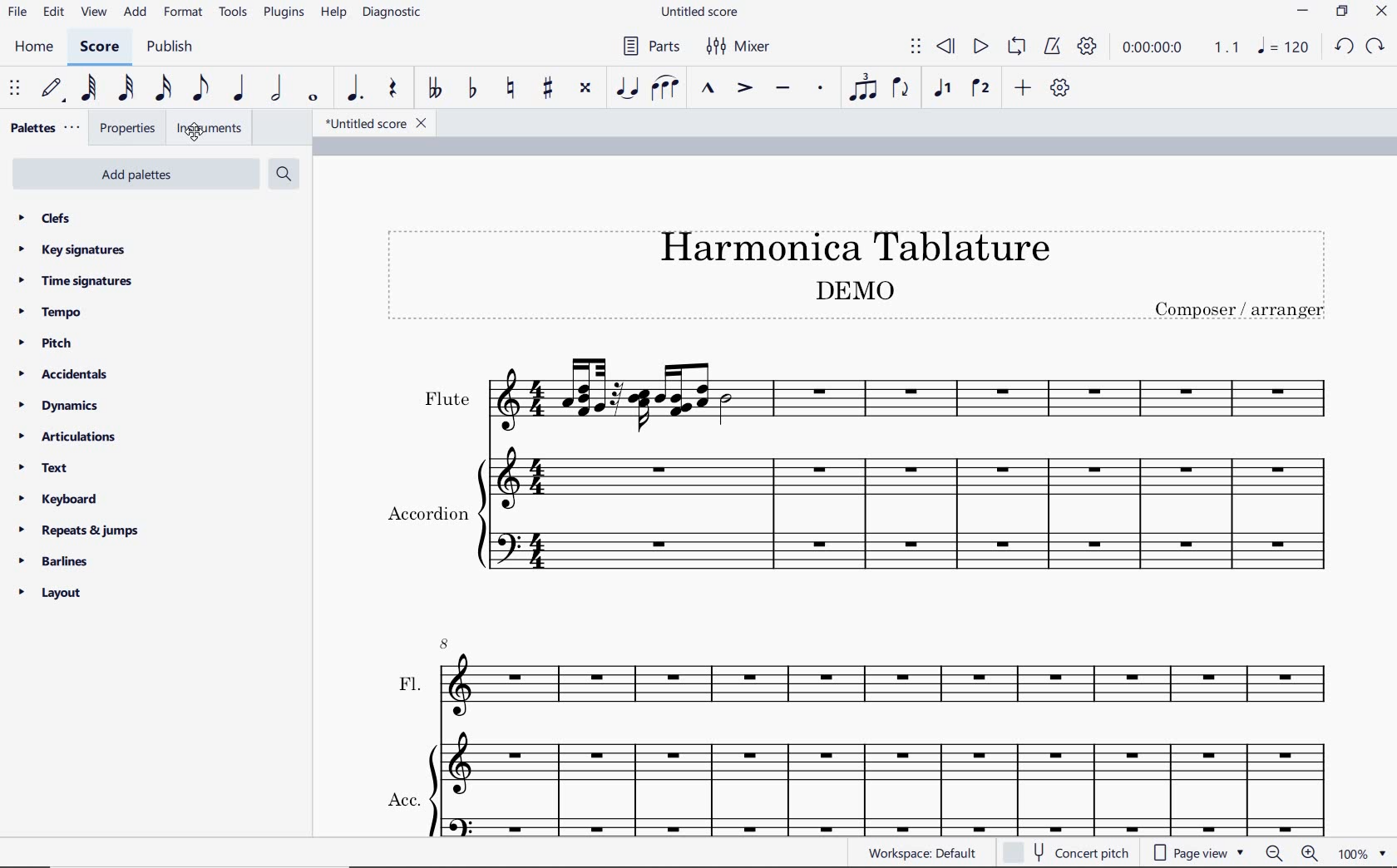 Image resolution: width=1397 pixels, height=868 pixels. Describe the element at coordinates (34, 49) in the screenshot. I see `HOME` at that location.